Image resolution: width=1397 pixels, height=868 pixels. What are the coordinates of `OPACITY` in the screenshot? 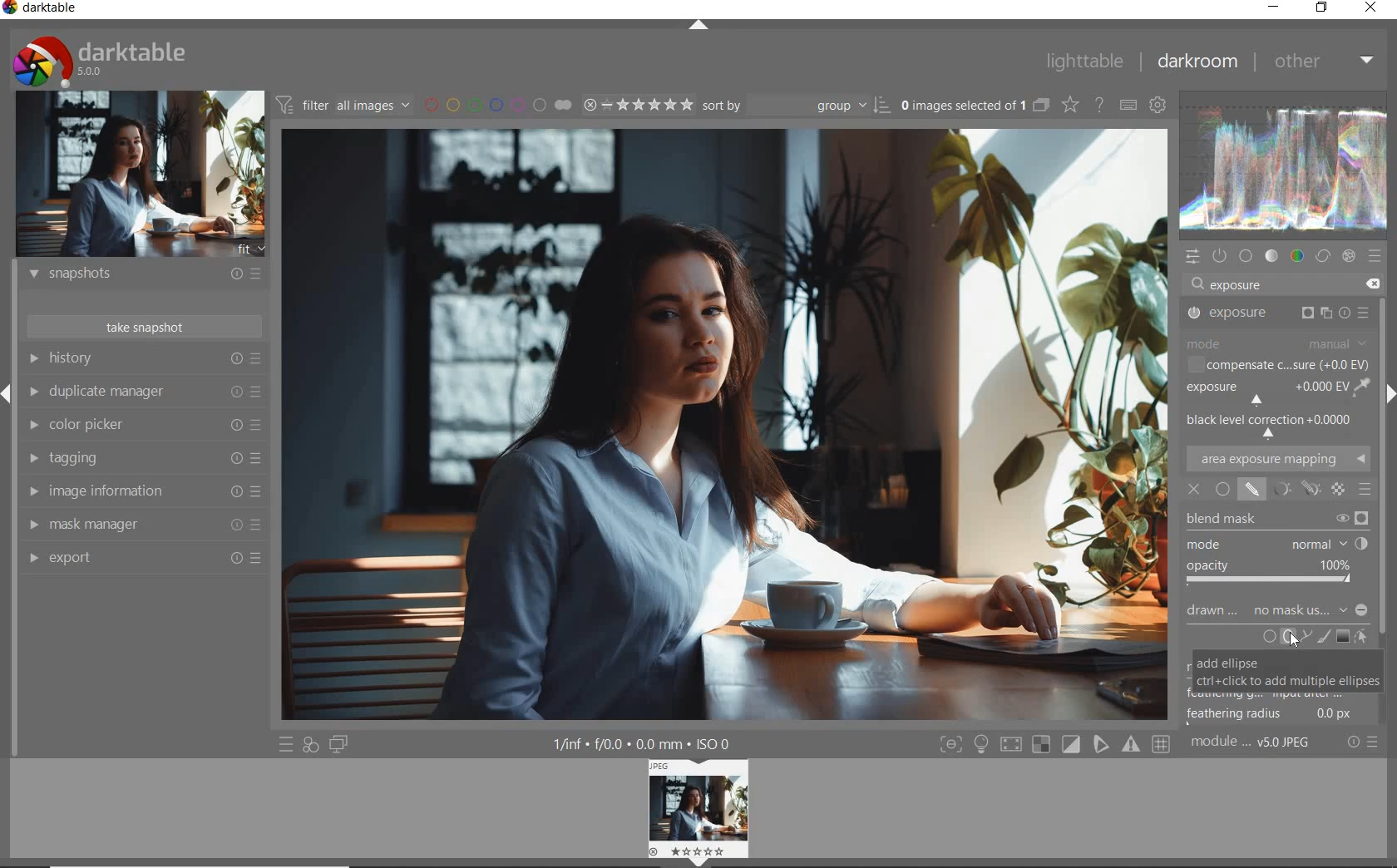 It's located at (1273, 574).